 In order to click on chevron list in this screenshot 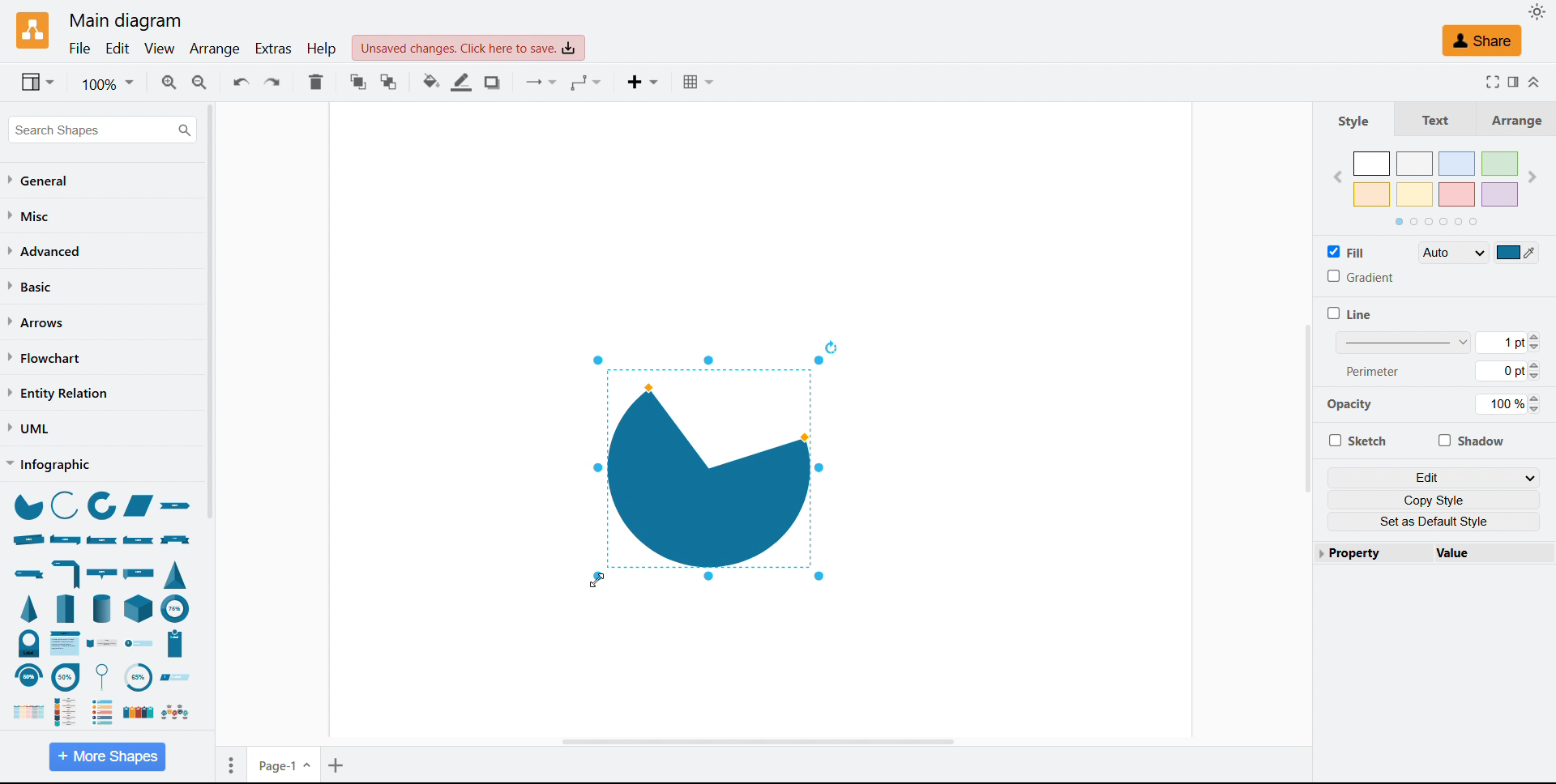, I will do `click(66, 643)`.